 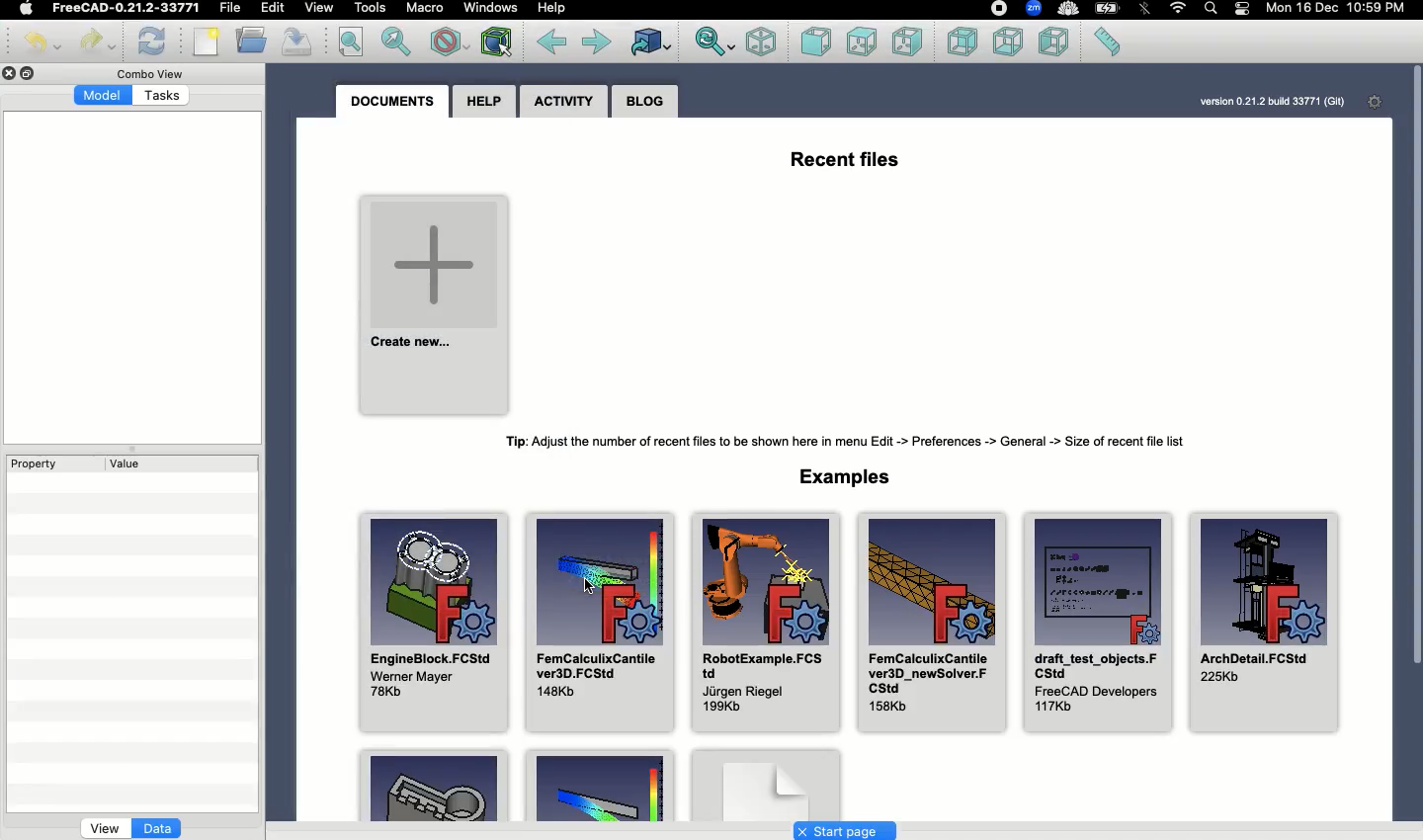 What do you see at coordinates (100, 43) in the screenshot?
I see `Redo` at bounding box center [100, 43].